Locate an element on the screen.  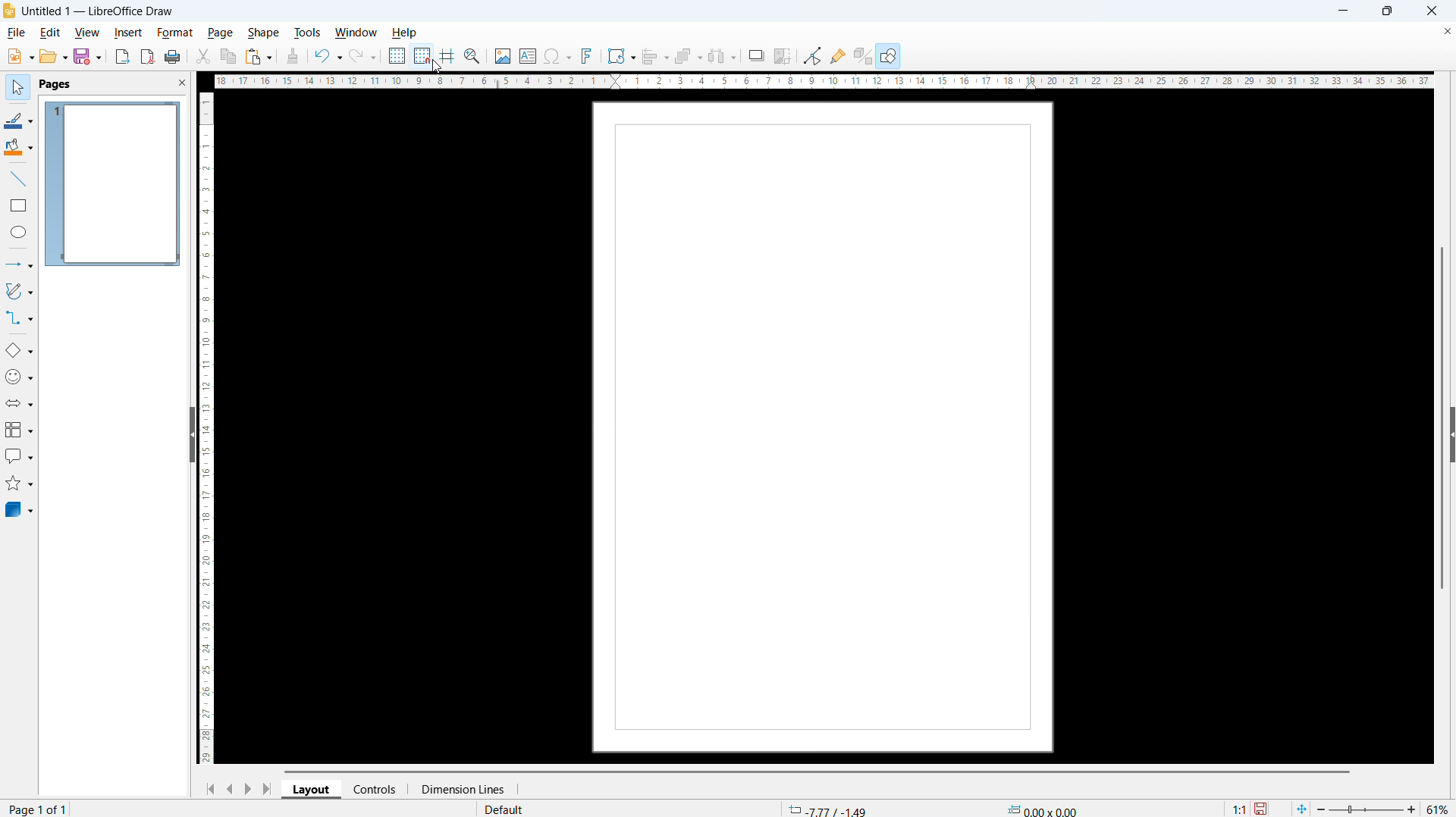
Helplines while moving  is located at coordinates (448, 55).